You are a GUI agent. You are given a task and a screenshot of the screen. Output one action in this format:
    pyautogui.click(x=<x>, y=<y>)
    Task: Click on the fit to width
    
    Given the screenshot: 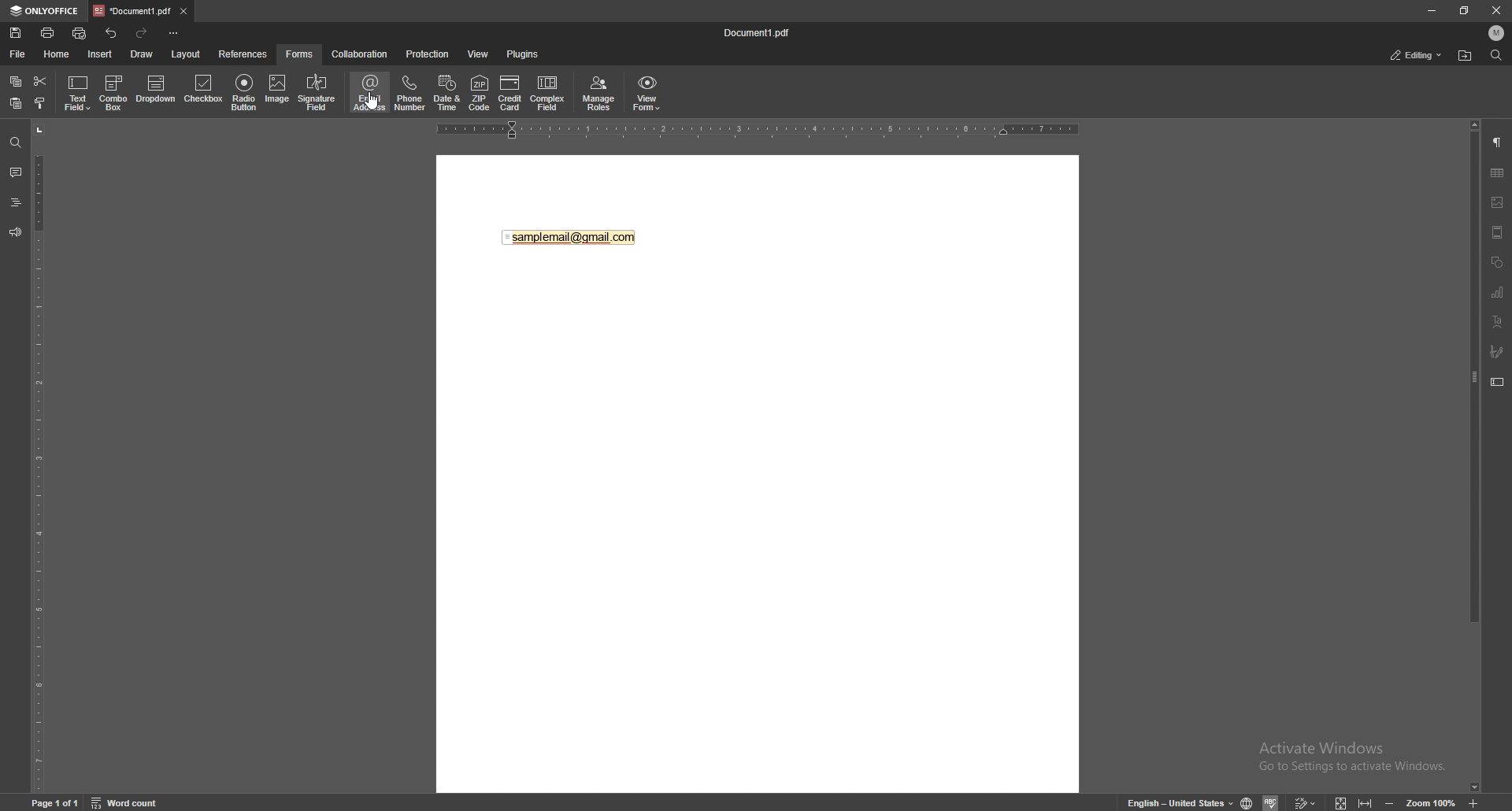 What is the action you would take?
    pyautogui.click(x=1364, y=800)
    